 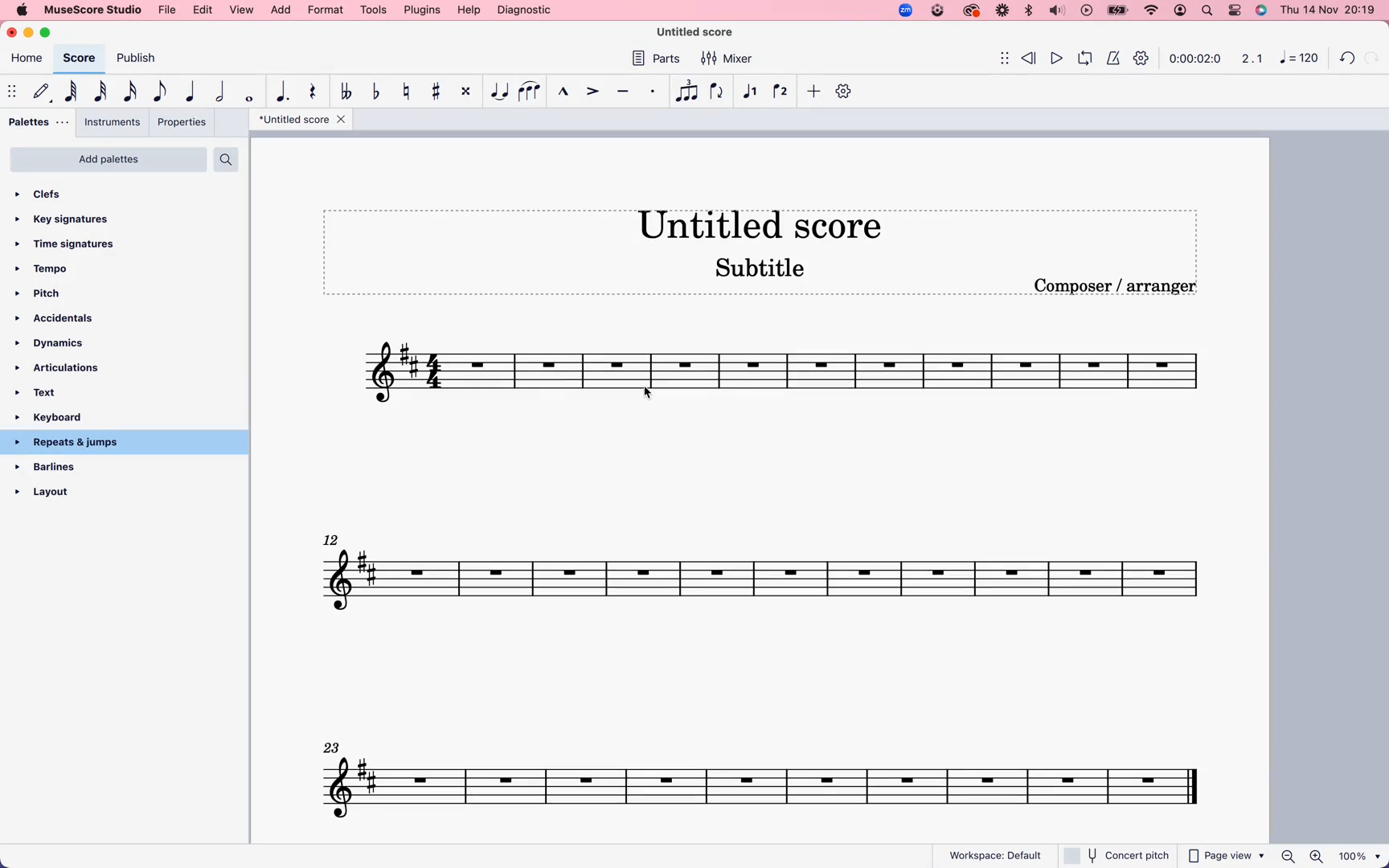 I want to click on toggle double flat, so click(x=348, y=92).